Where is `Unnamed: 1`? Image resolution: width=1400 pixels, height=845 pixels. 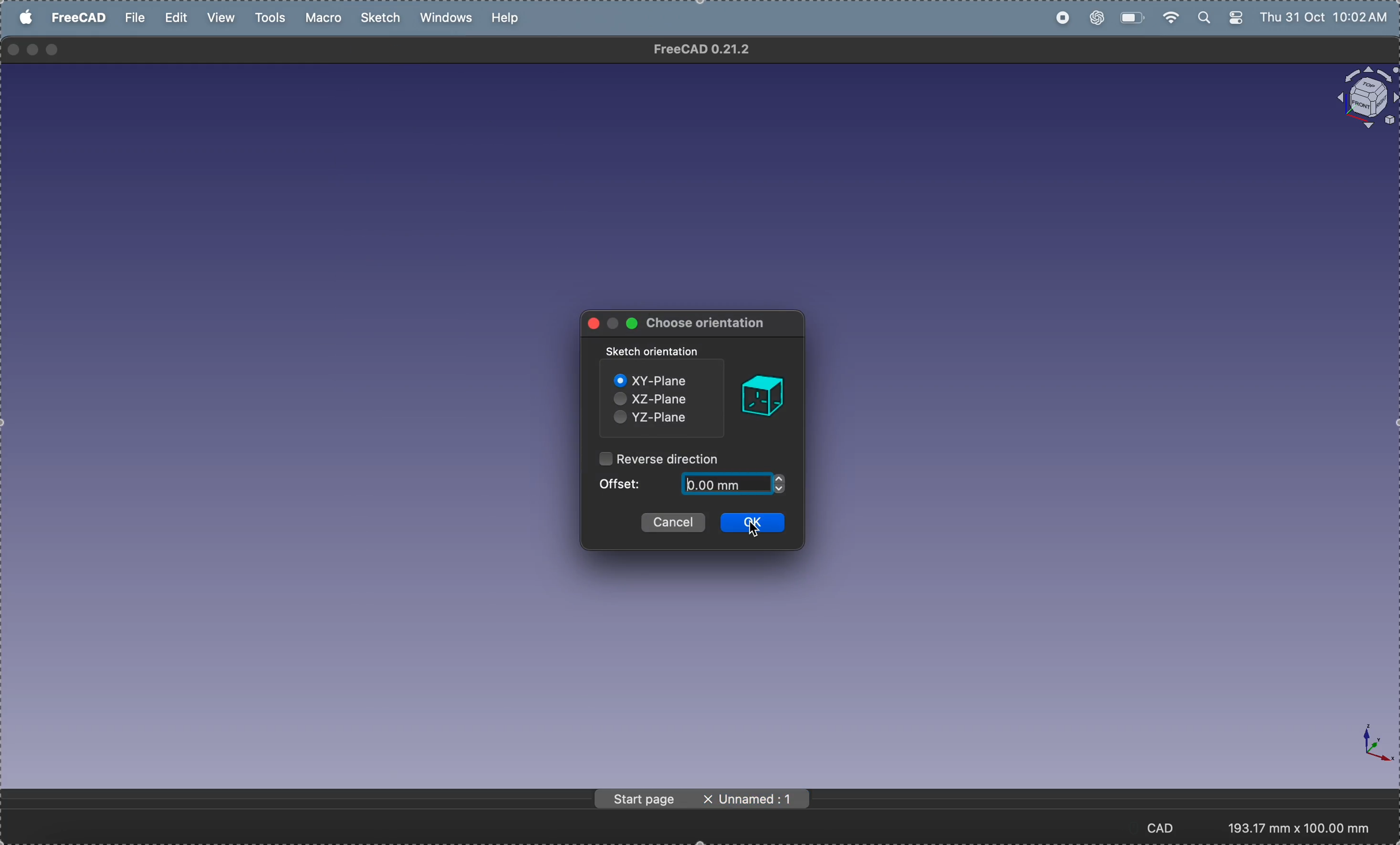
Unnamed: 1 is located at coordinates (761, 799).